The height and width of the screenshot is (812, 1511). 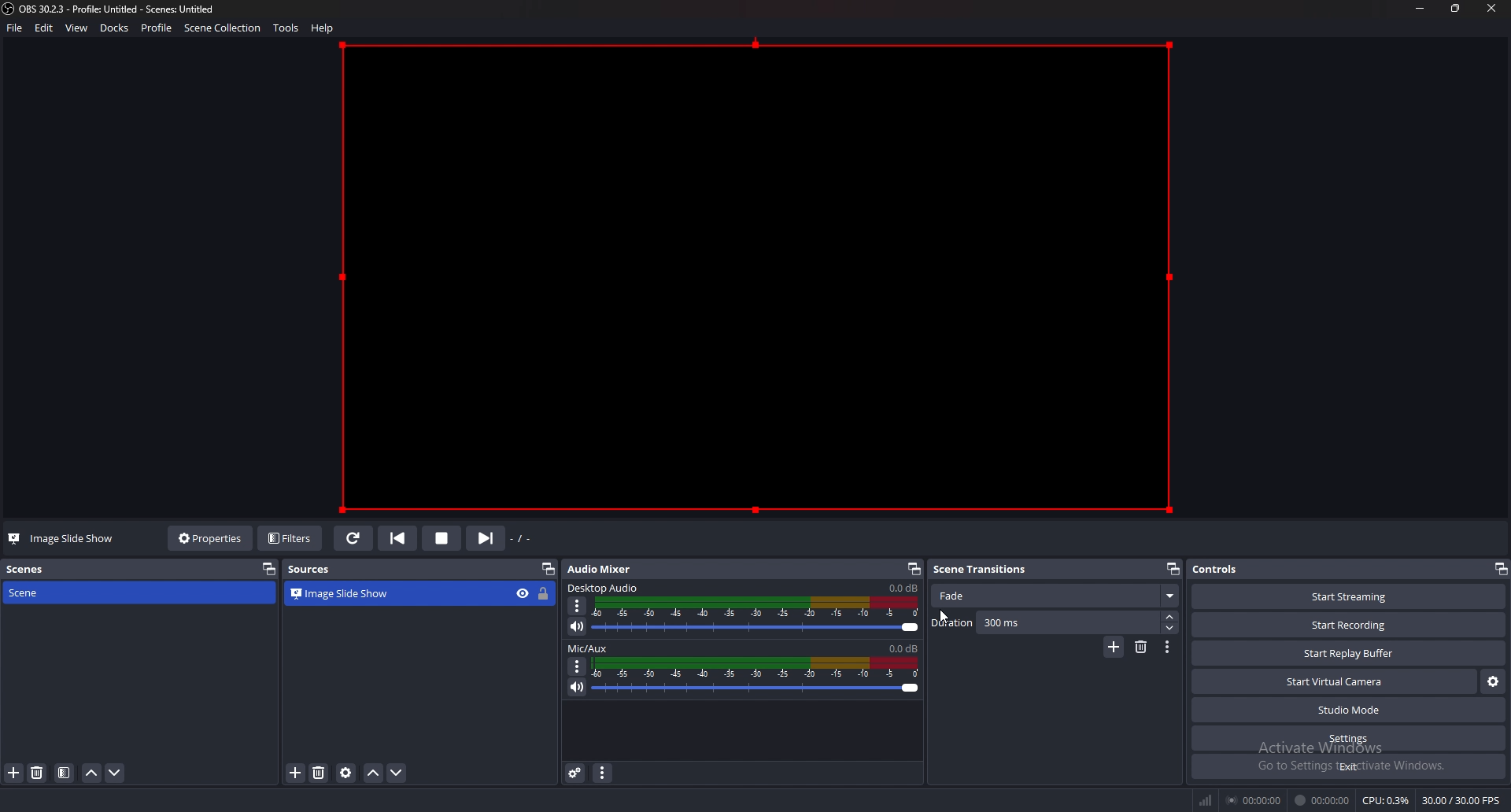 I want to click on info, so click(x=422, y=670).